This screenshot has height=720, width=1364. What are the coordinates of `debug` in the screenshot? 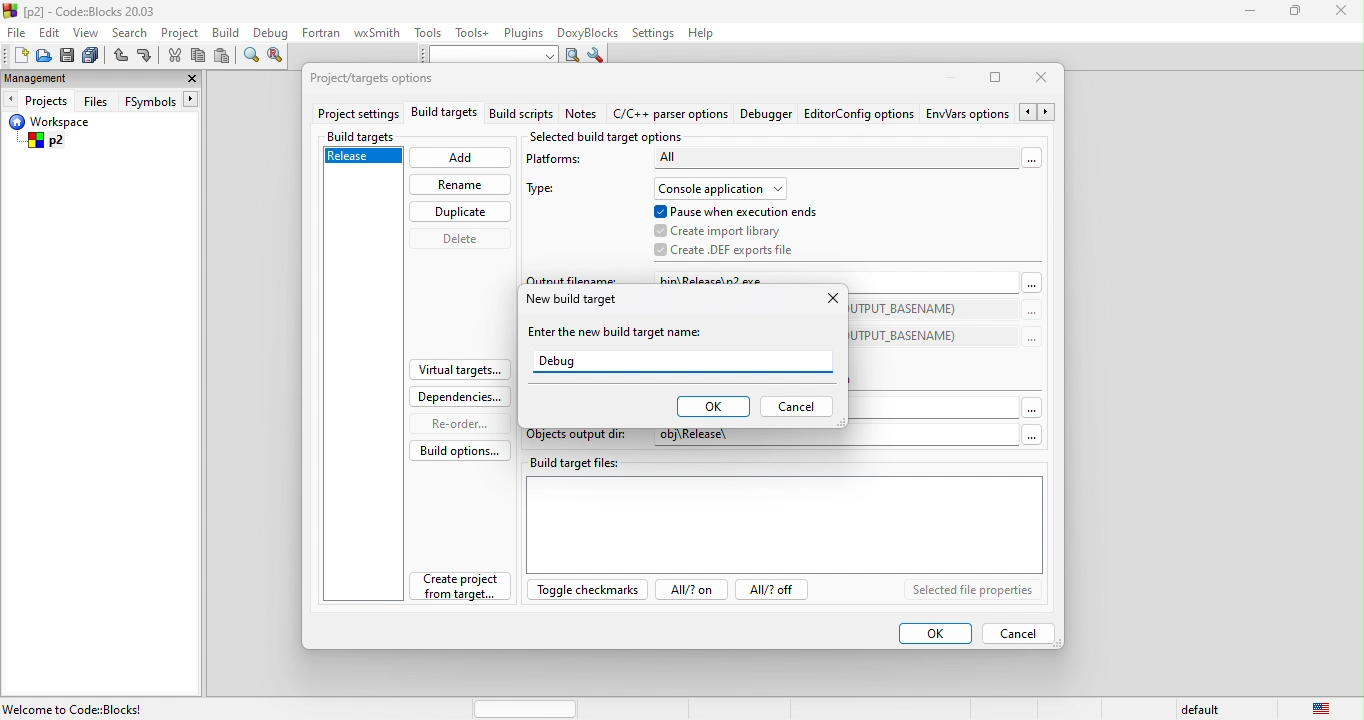 It's located at (272, 33).